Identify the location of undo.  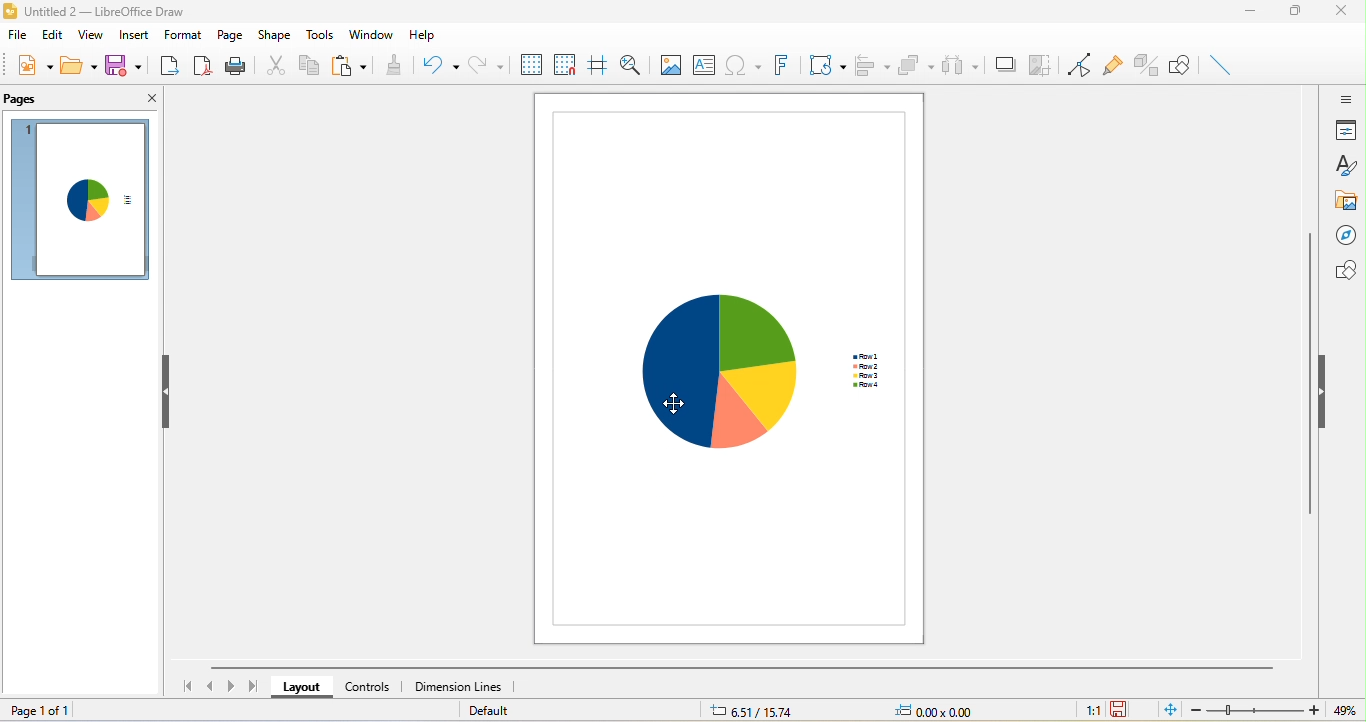
(437, 66).